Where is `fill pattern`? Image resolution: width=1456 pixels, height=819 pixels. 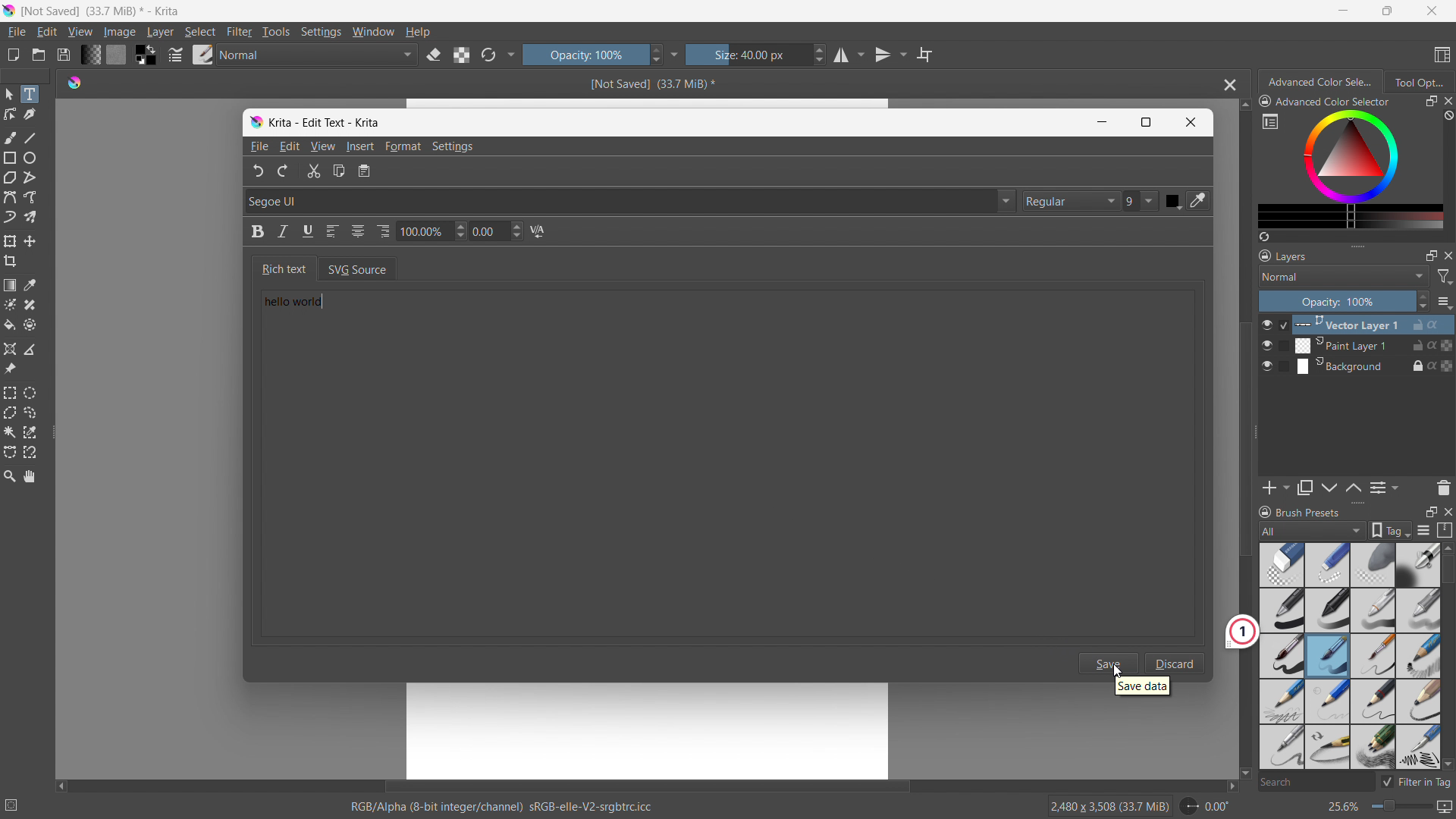 fill pattern is located at coordinates (117, 54).